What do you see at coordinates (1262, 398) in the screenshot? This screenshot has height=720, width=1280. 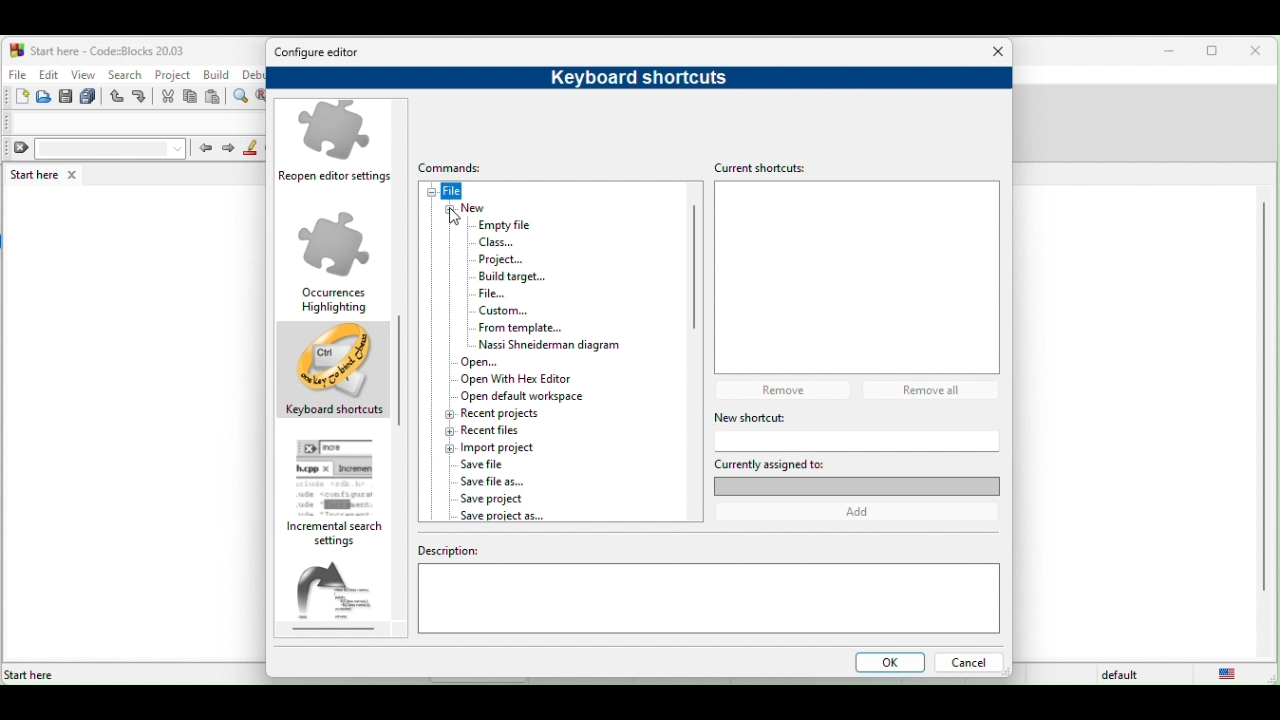 I see `vertical scroll bar` at bounding box center [1262, 398].